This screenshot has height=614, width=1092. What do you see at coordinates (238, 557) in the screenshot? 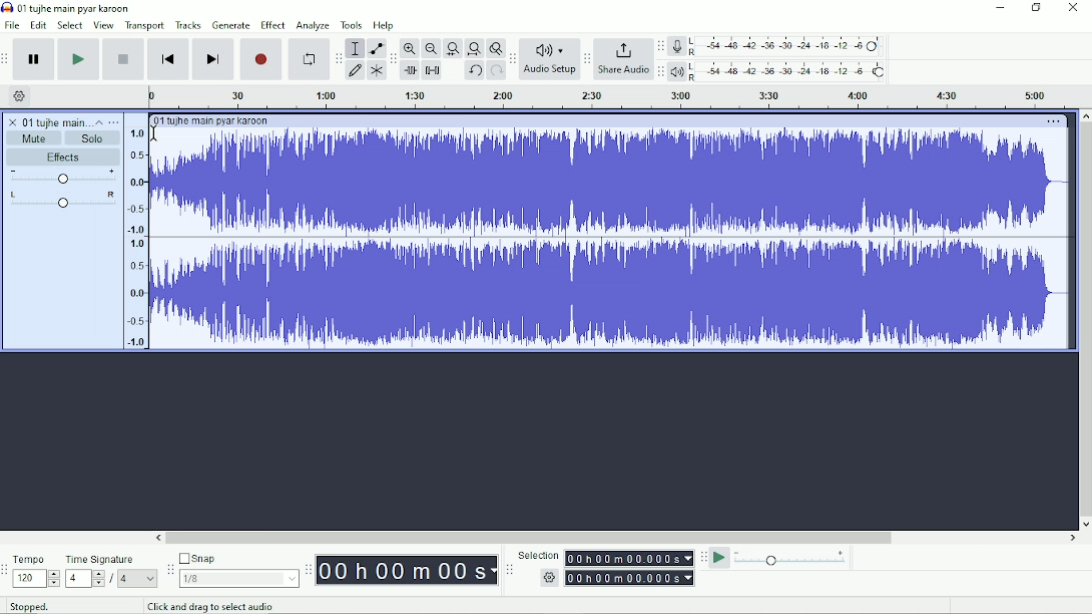
I see `Snap` at bounding box center [238, 557].